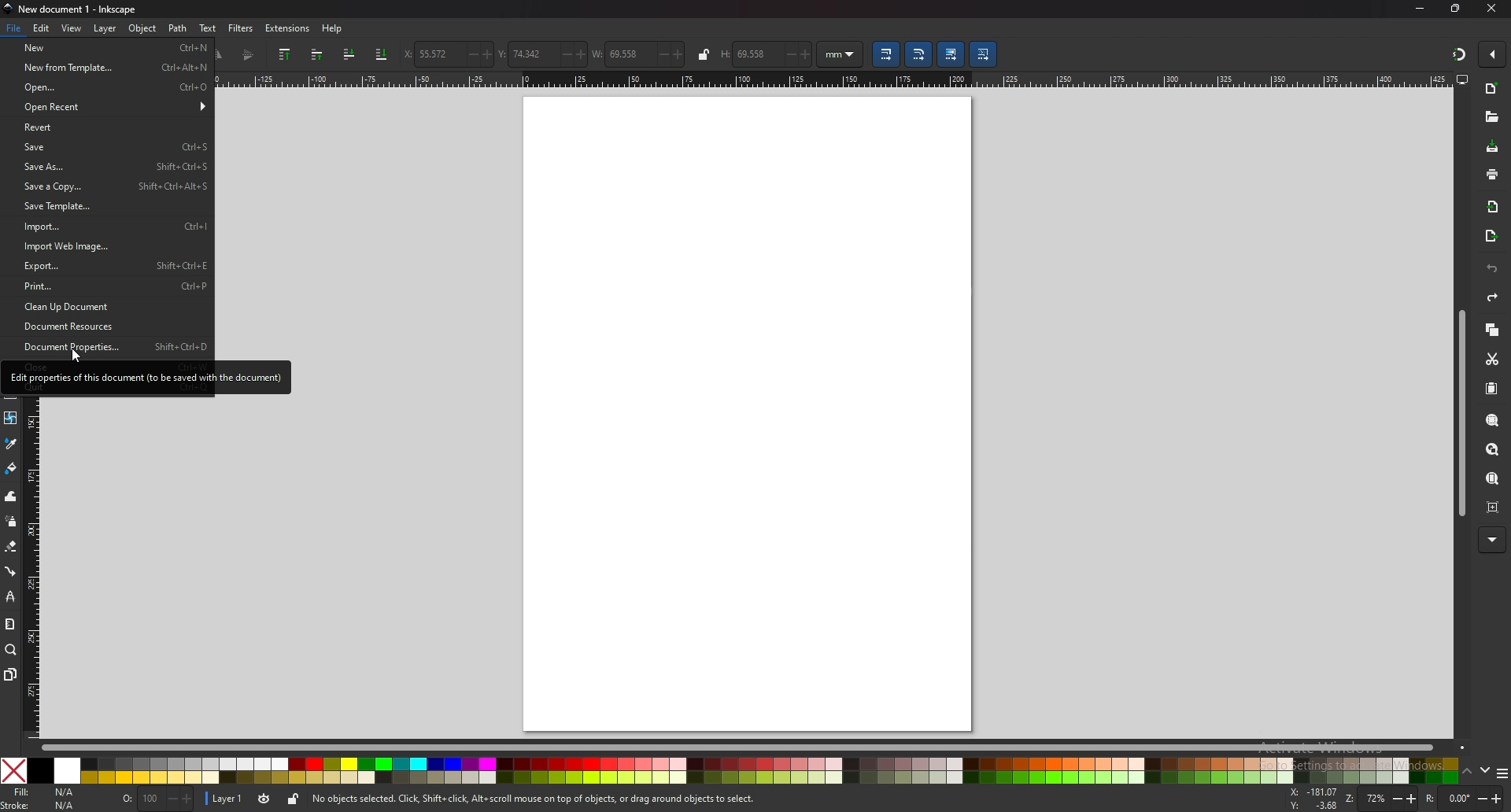 The width and height of the screenshot is (1511, 812). I want to click on save a copy, so click(109, 186).